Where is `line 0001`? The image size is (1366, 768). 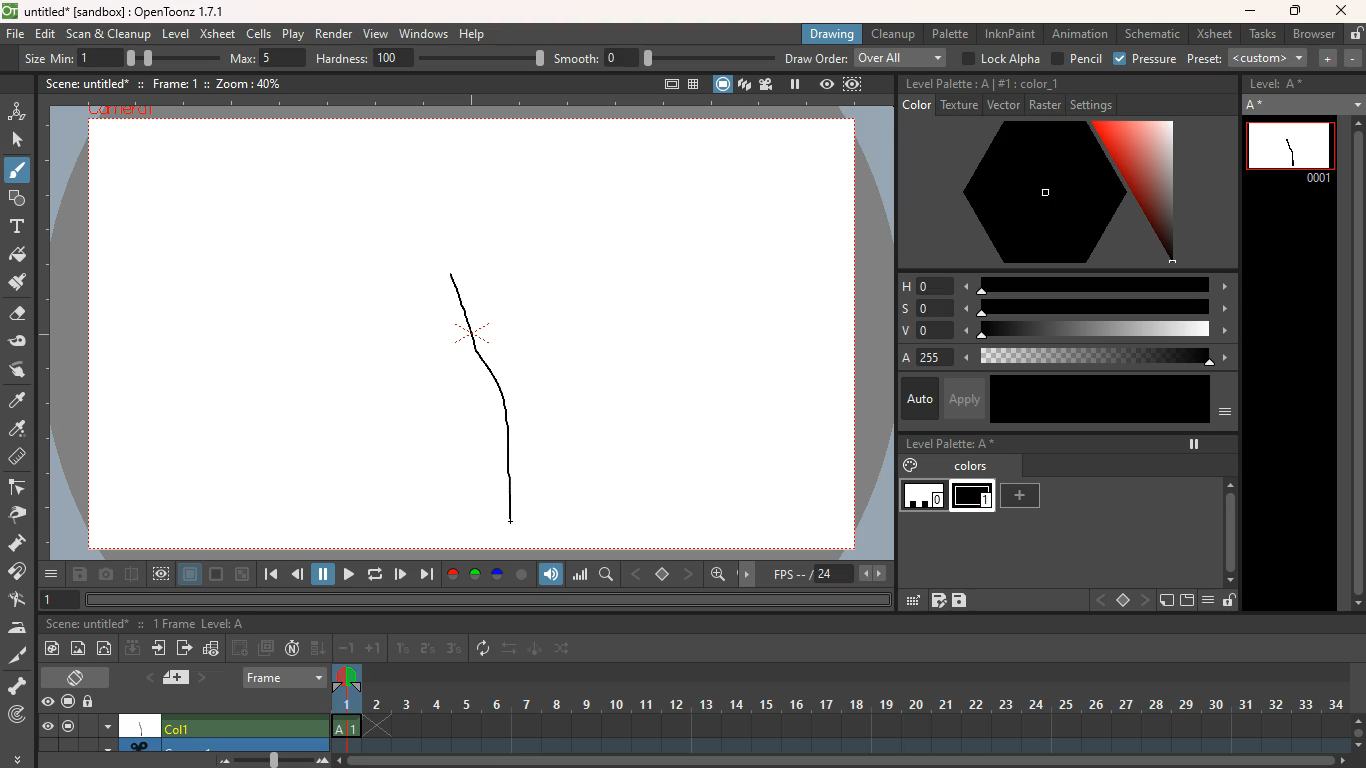 line 0001 is located at coordinates (1289, 149).